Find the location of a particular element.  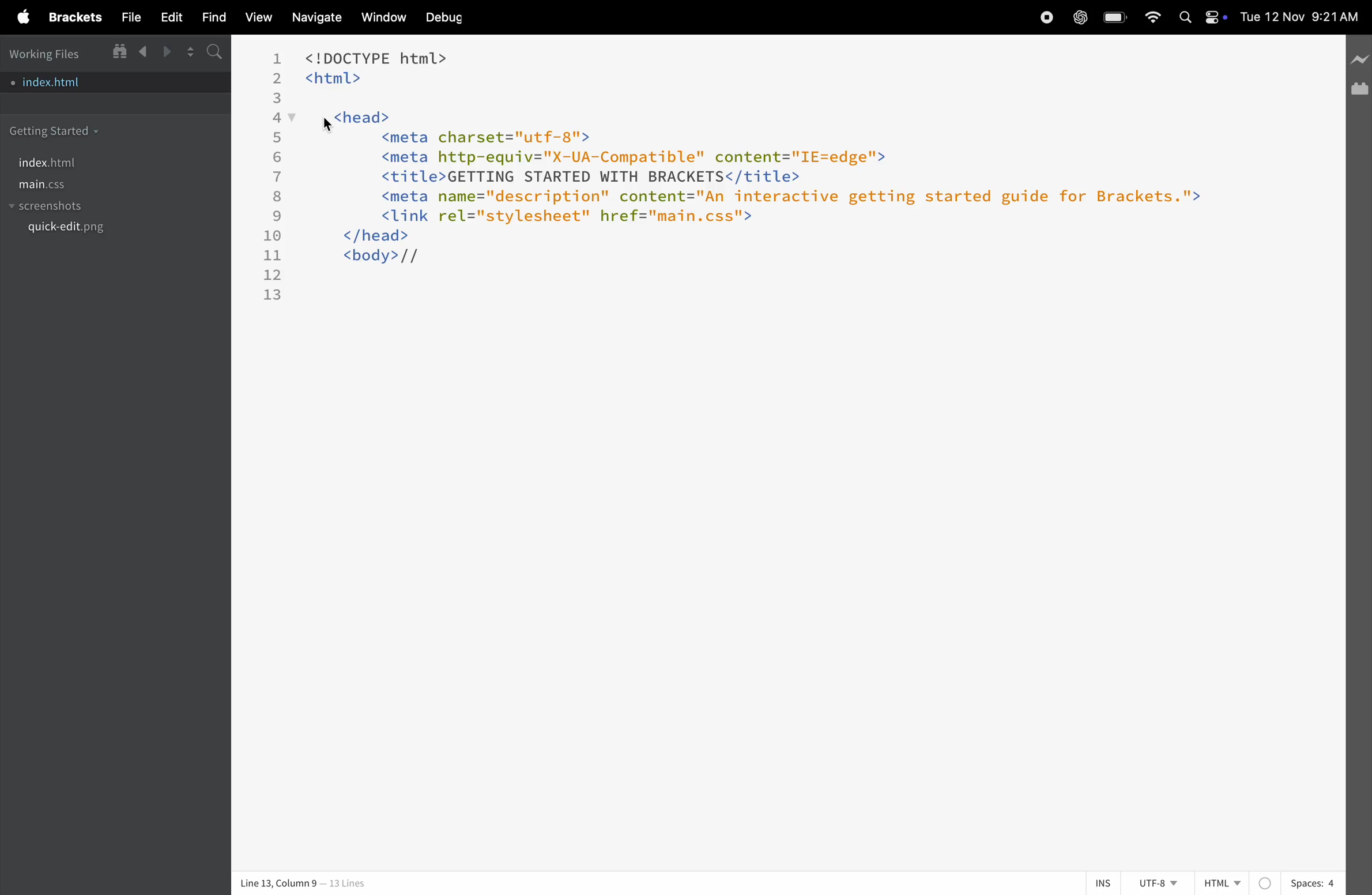

forward is located at coordinates (165, 52).